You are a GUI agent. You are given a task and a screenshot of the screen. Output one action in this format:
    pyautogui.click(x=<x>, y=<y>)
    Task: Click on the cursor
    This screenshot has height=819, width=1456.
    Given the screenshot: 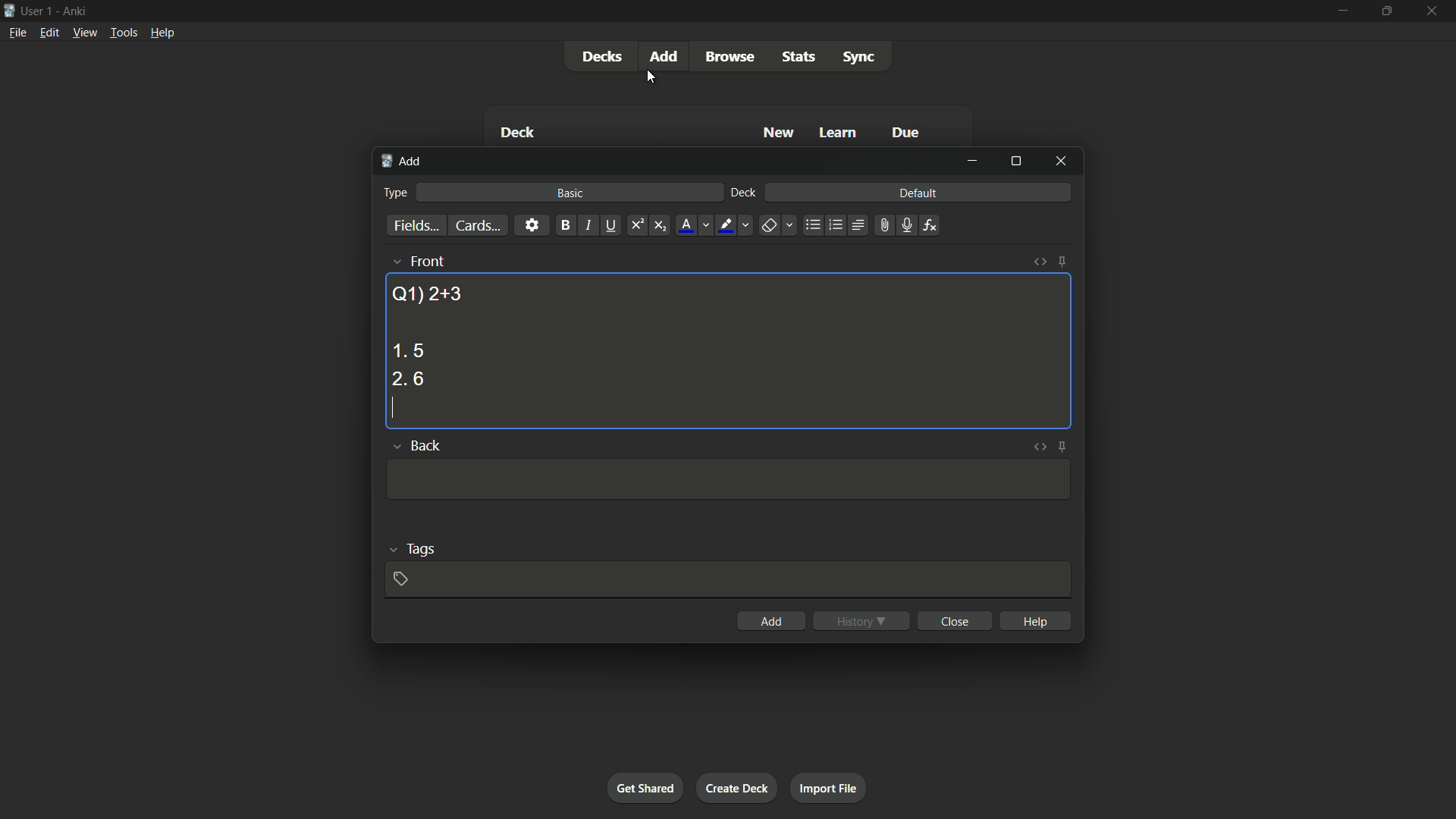 What is the action you would take?
    pyautogui.click(x=392, y=408)
    